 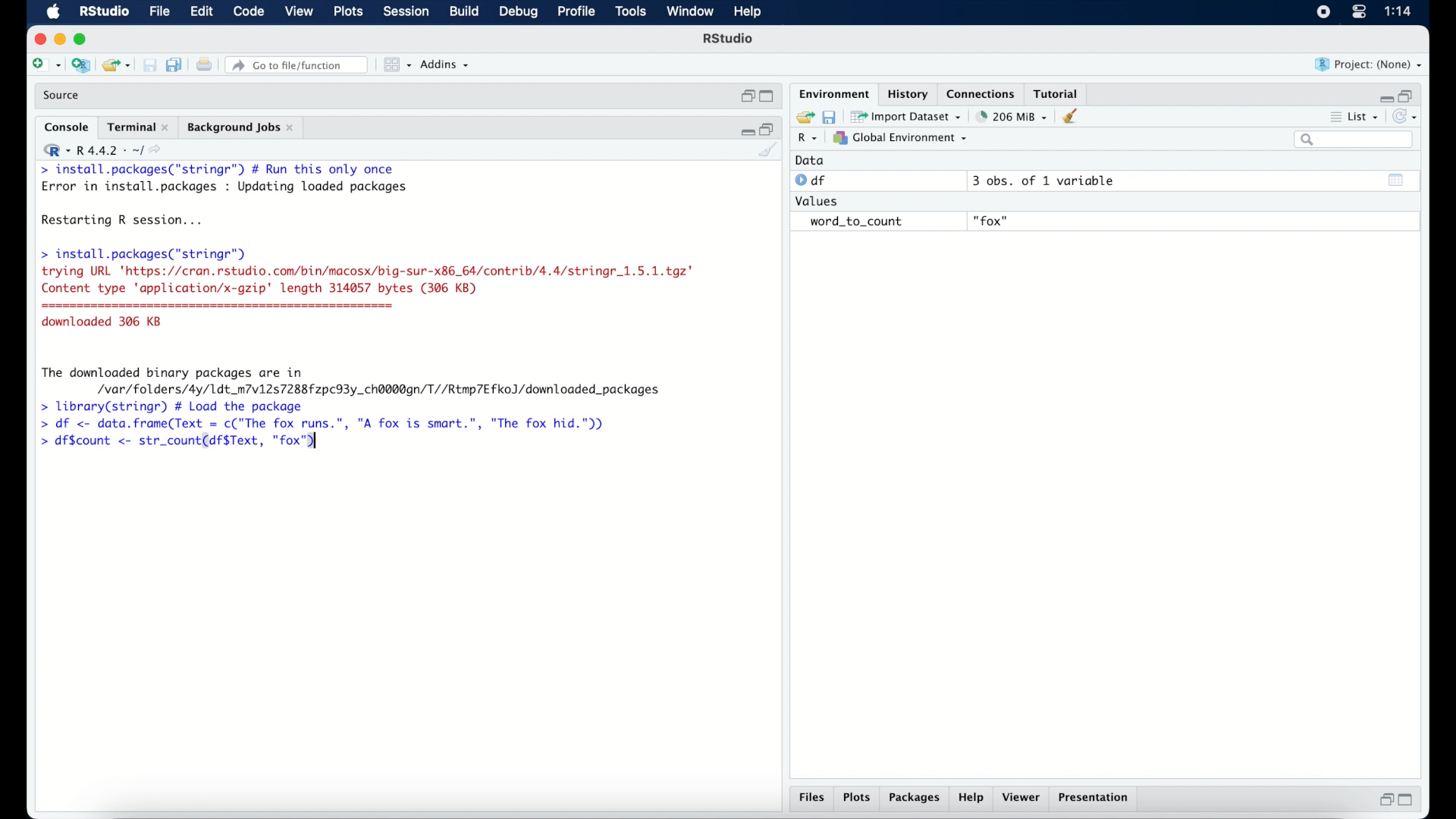 I want to click on source, so click(x=63, y=96).